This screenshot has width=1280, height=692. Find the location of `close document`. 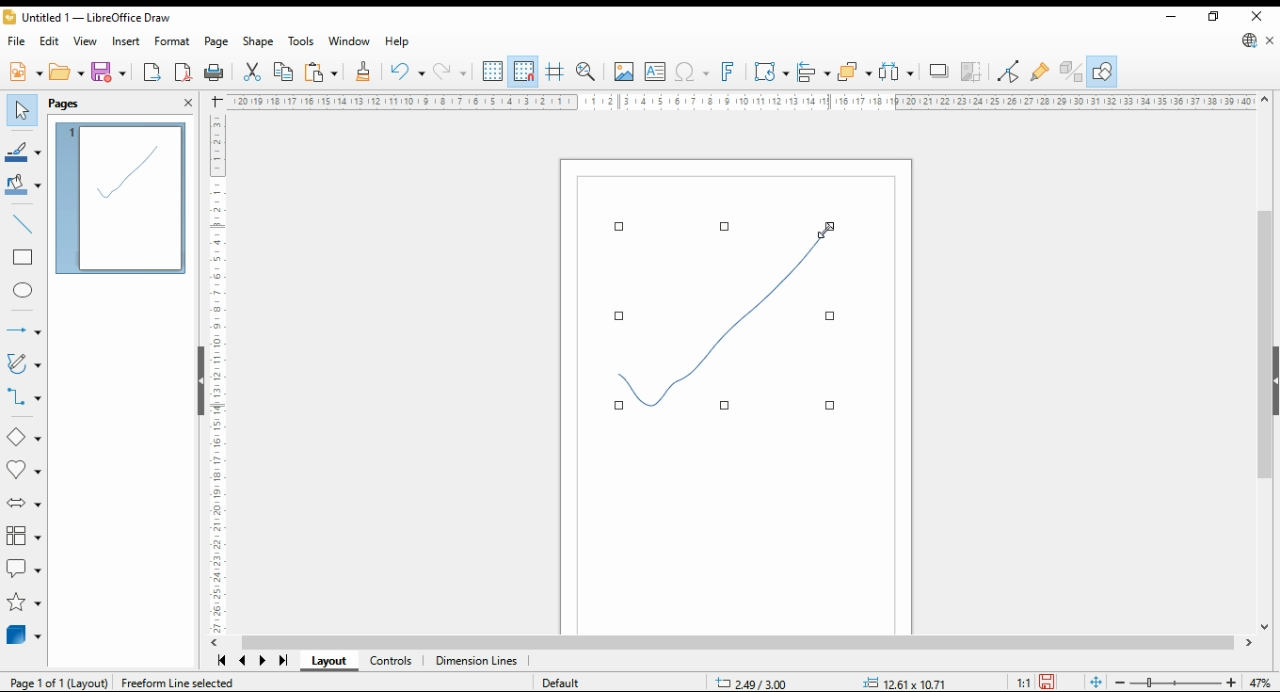

close document is located at coordinates (1272, 39).